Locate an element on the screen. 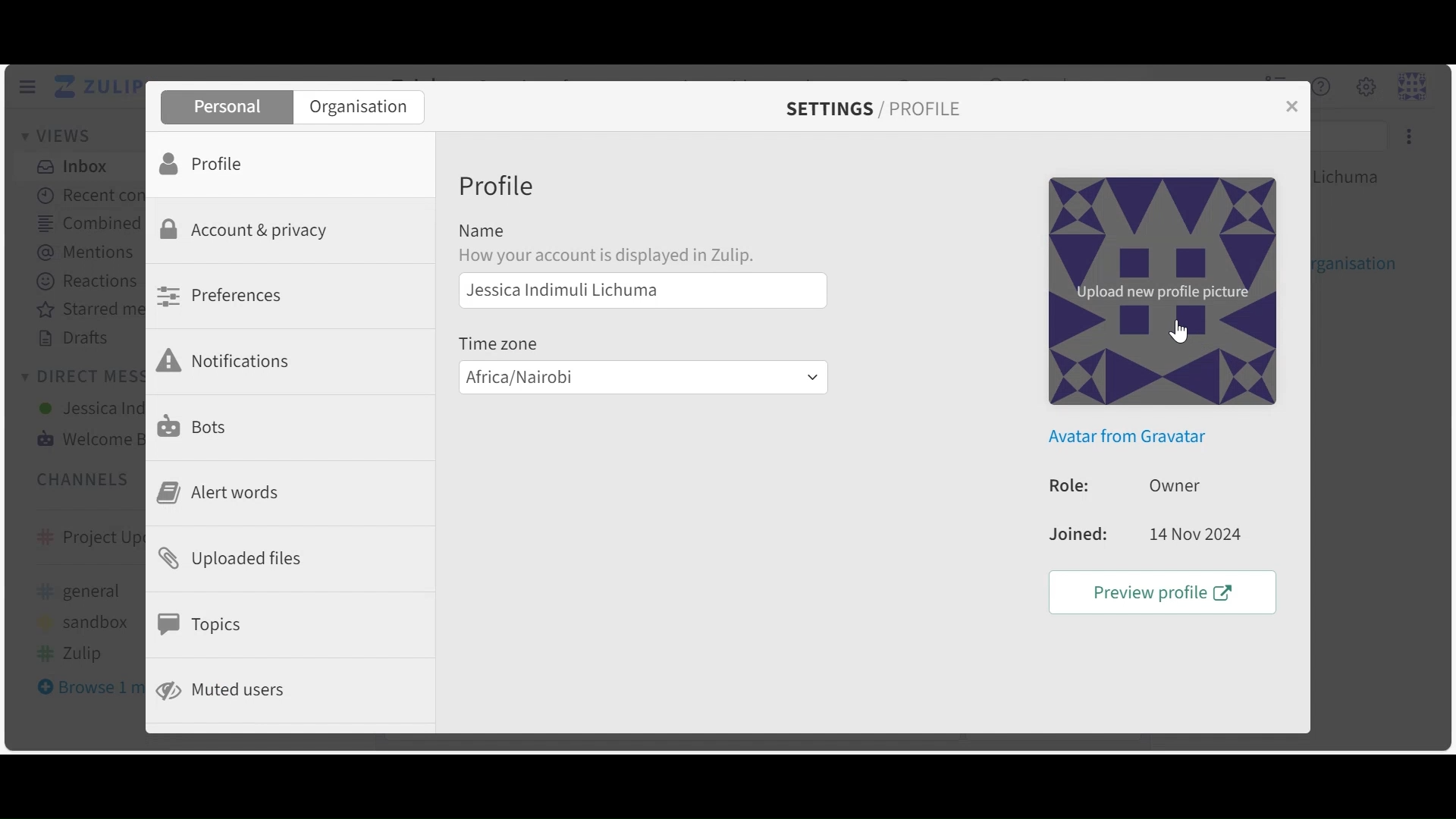 Image resolution: width=1456 pixels, height=819 pixels. Bots is located at coordinates (193, 425).